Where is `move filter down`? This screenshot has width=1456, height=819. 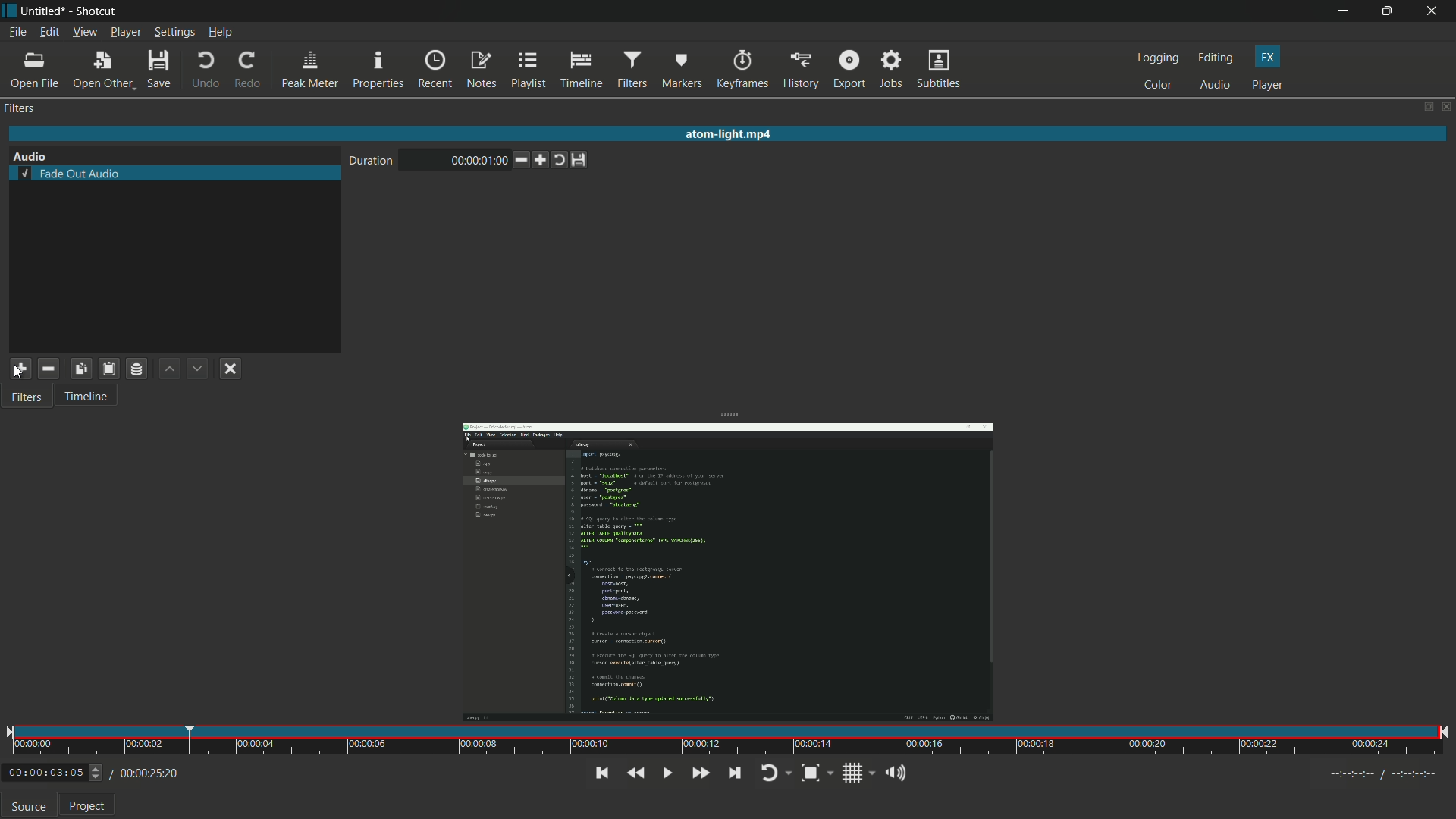
move filter down is located at coordinates (197, 369).